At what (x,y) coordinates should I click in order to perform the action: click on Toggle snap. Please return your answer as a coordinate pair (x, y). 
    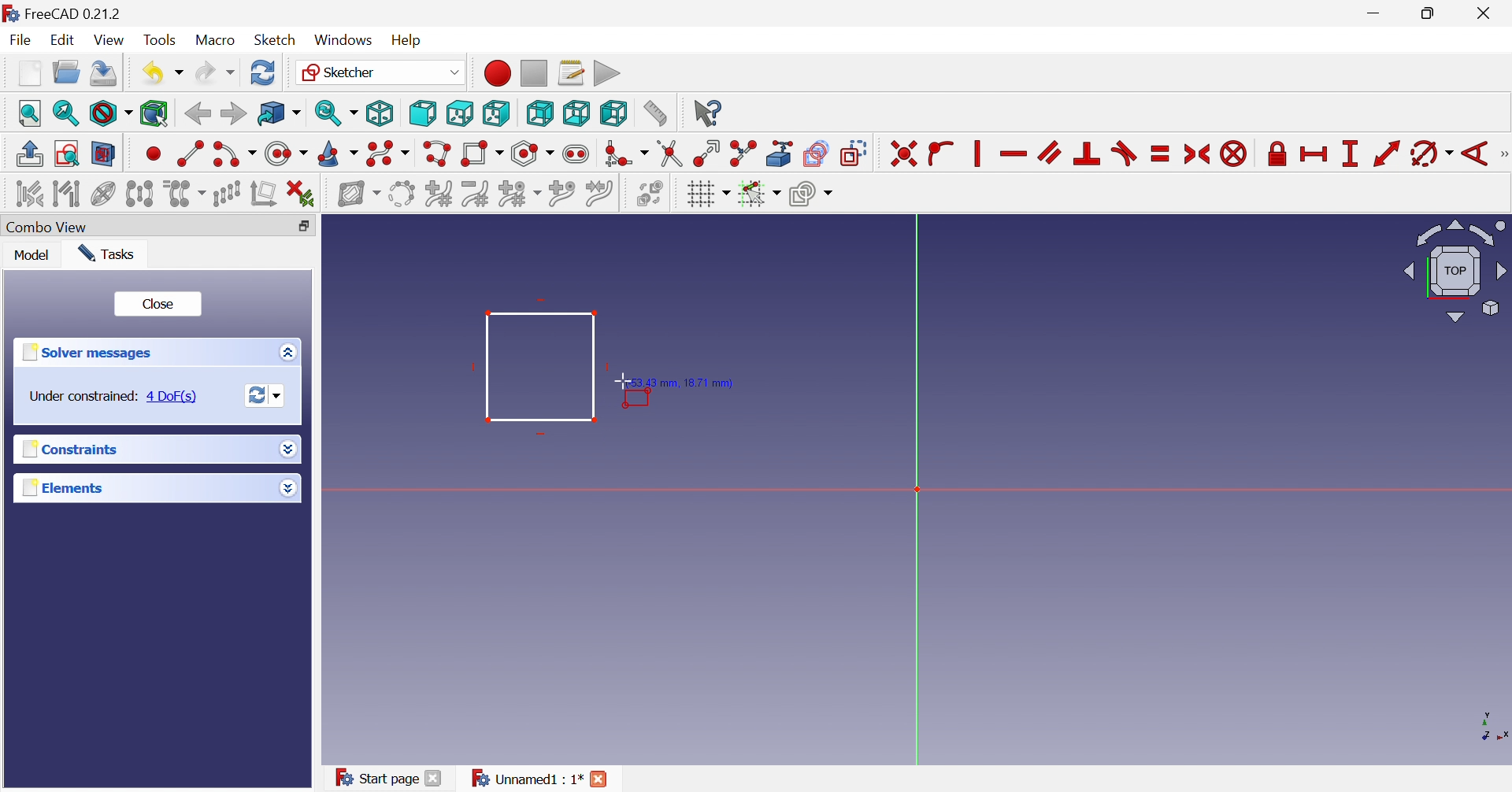
    Looking at the image, I should click on (758, 194).